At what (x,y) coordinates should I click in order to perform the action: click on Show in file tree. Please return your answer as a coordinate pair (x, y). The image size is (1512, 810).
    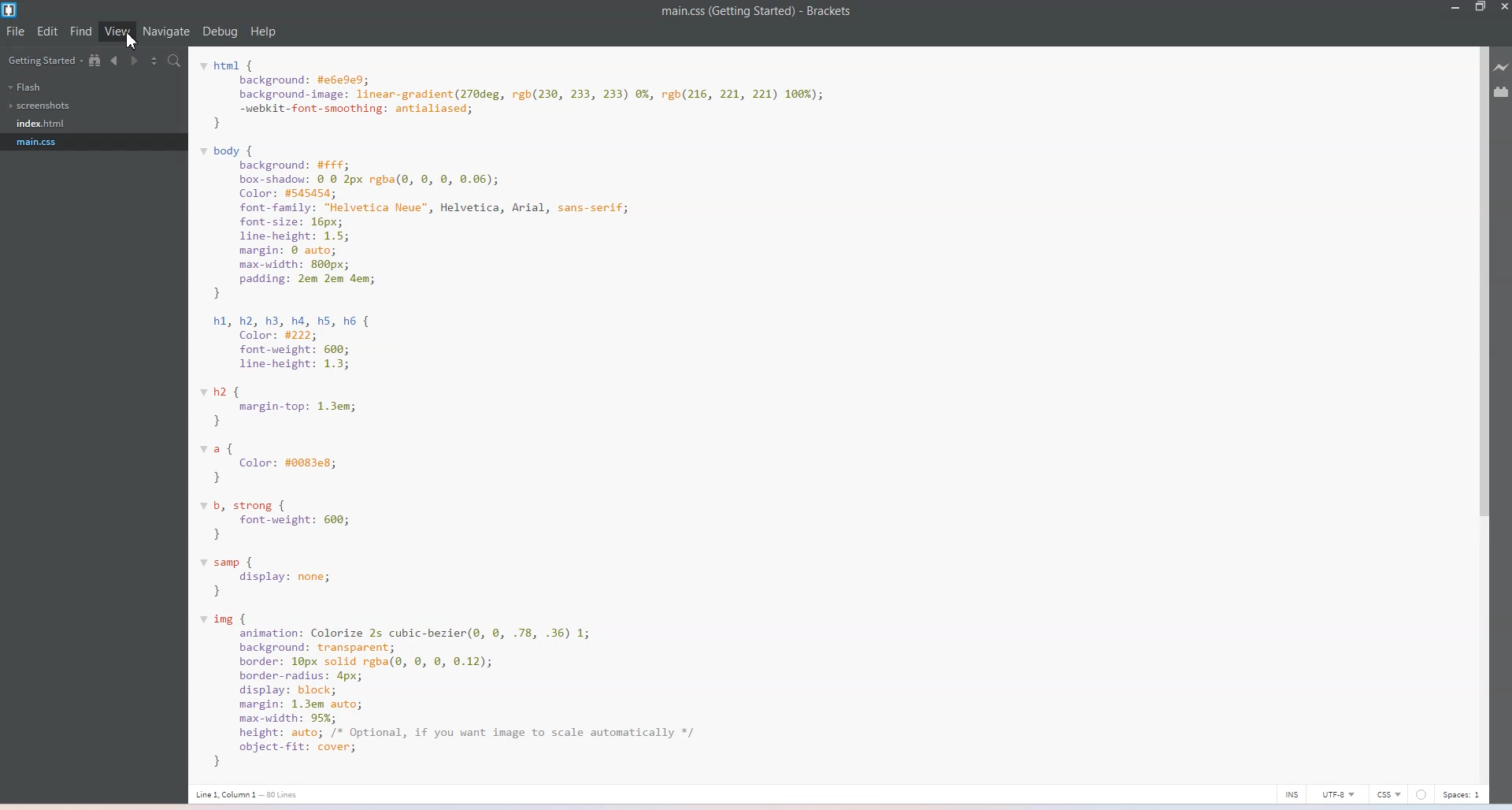
    Looking at the image, I should click on (96, 60).